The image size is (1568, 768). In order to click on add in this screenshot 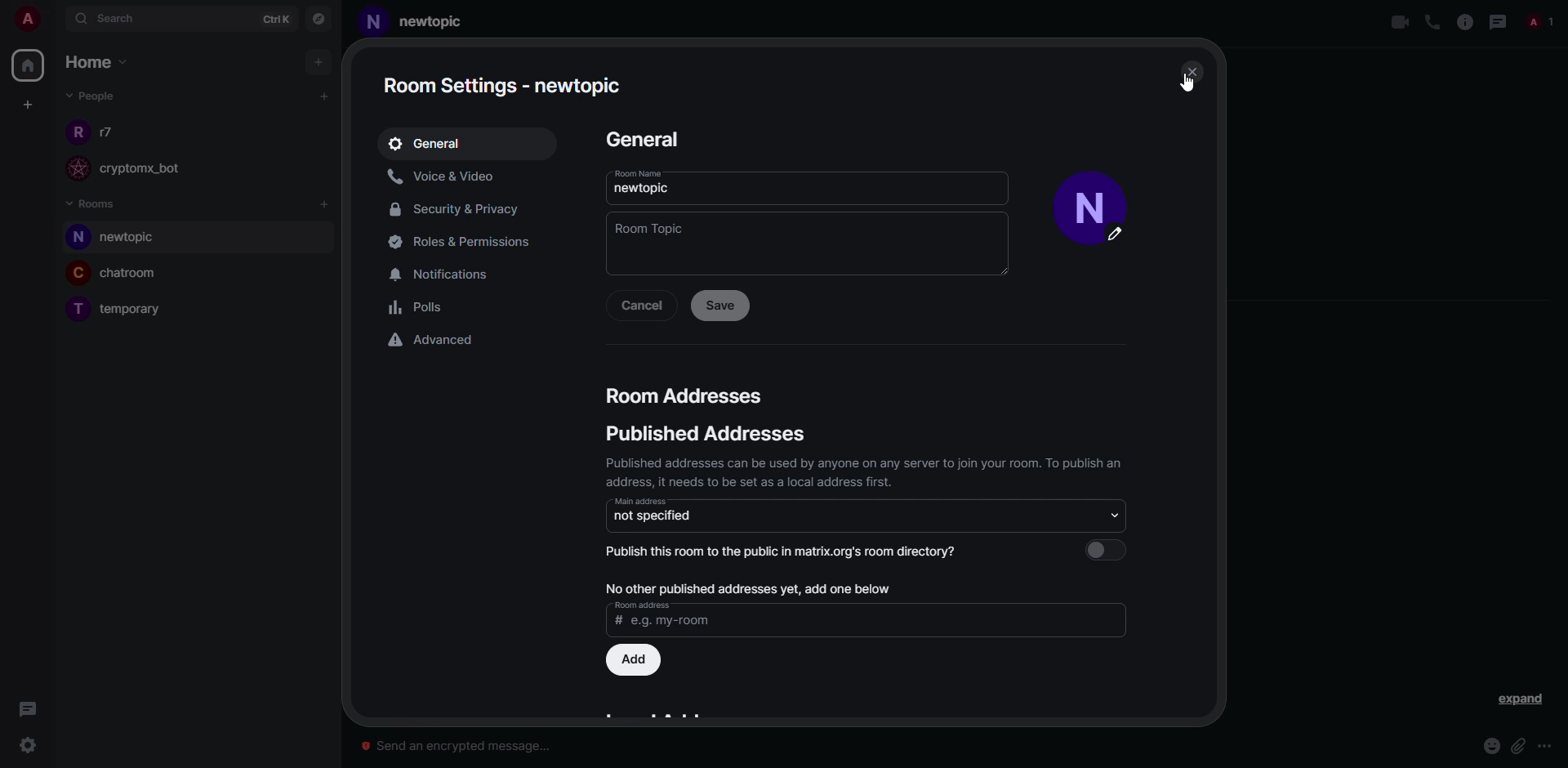, I will do `click(636, 659)`.